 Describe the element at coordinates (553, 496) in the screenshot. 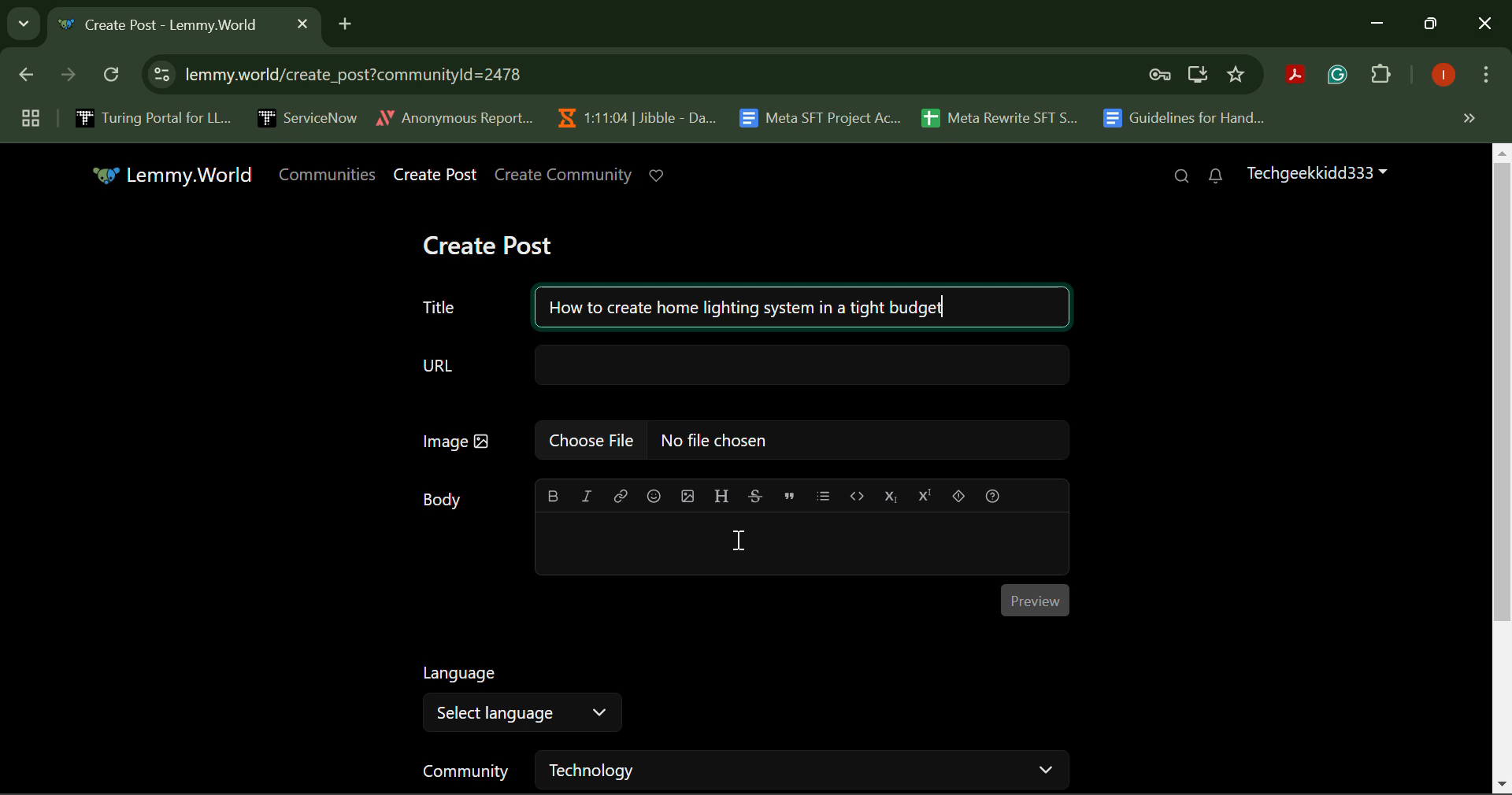

I see `bold` at that location.